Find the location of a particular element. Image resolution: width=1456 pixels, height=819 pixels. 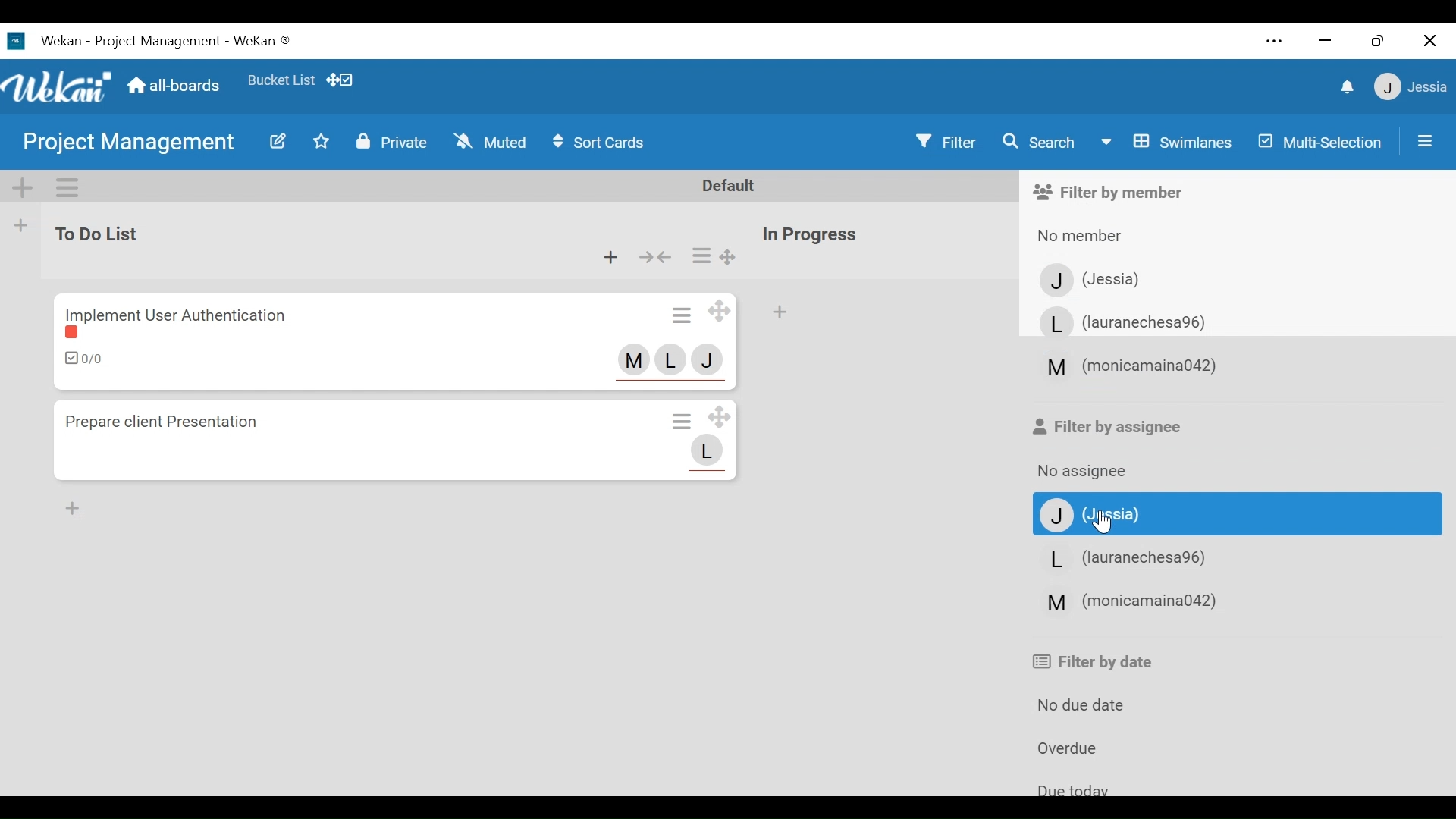

Add card to top of the list is located at coordinates (605, 257).